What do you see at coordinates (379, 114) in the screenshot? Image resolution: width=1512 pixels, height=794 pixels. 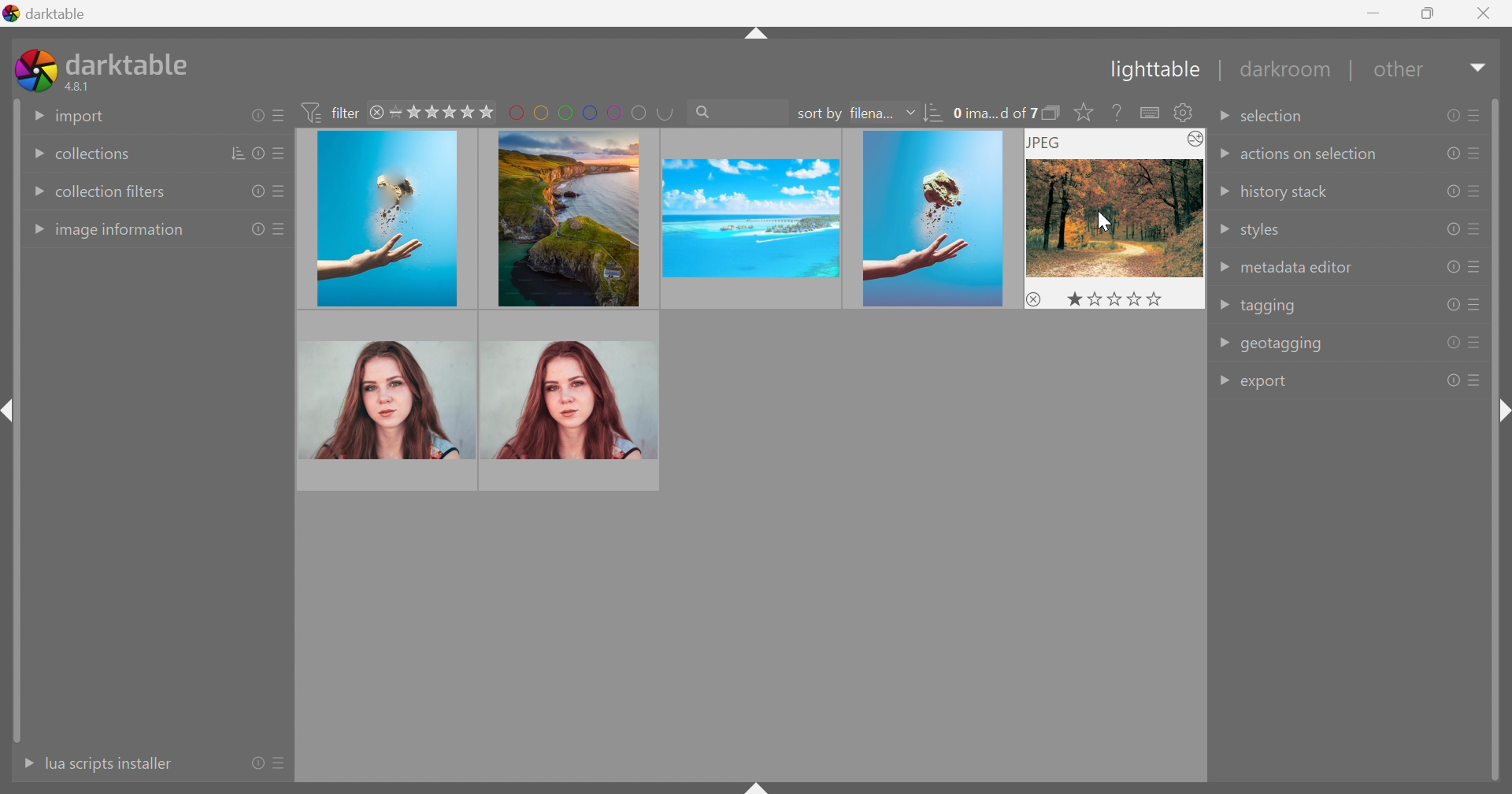 I see `close` at bounding box center [379, 114].